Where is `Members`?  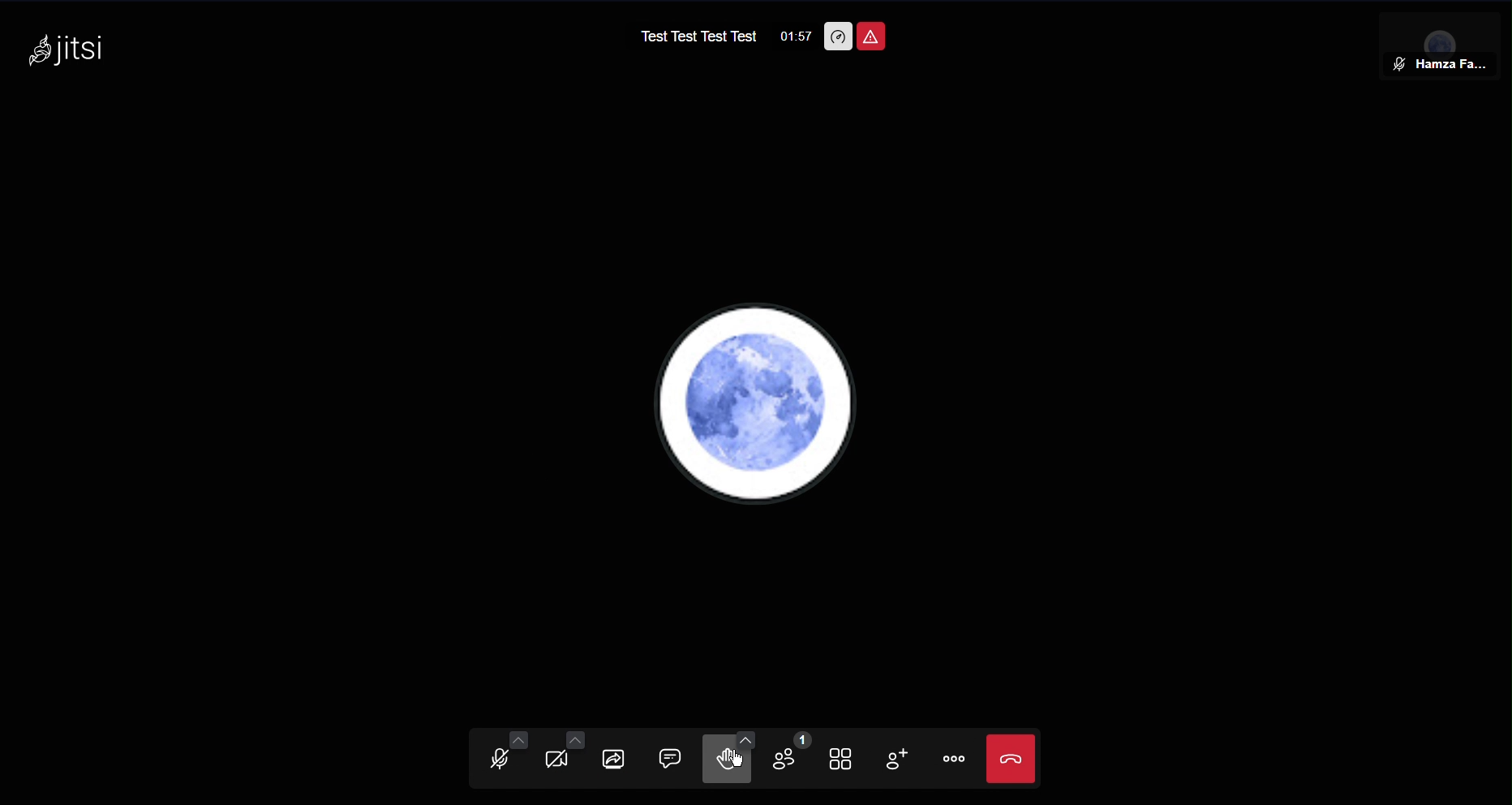
Members is located at coordinates (793, 756).